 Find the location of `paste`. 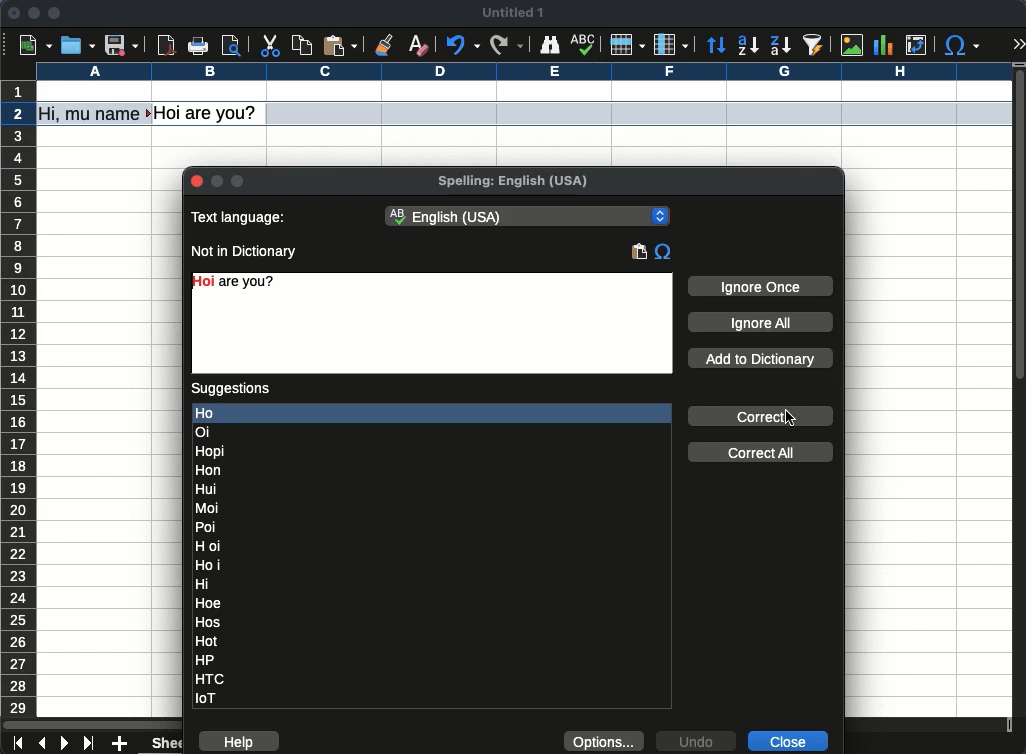

paste is located at coordinates (342, 44).